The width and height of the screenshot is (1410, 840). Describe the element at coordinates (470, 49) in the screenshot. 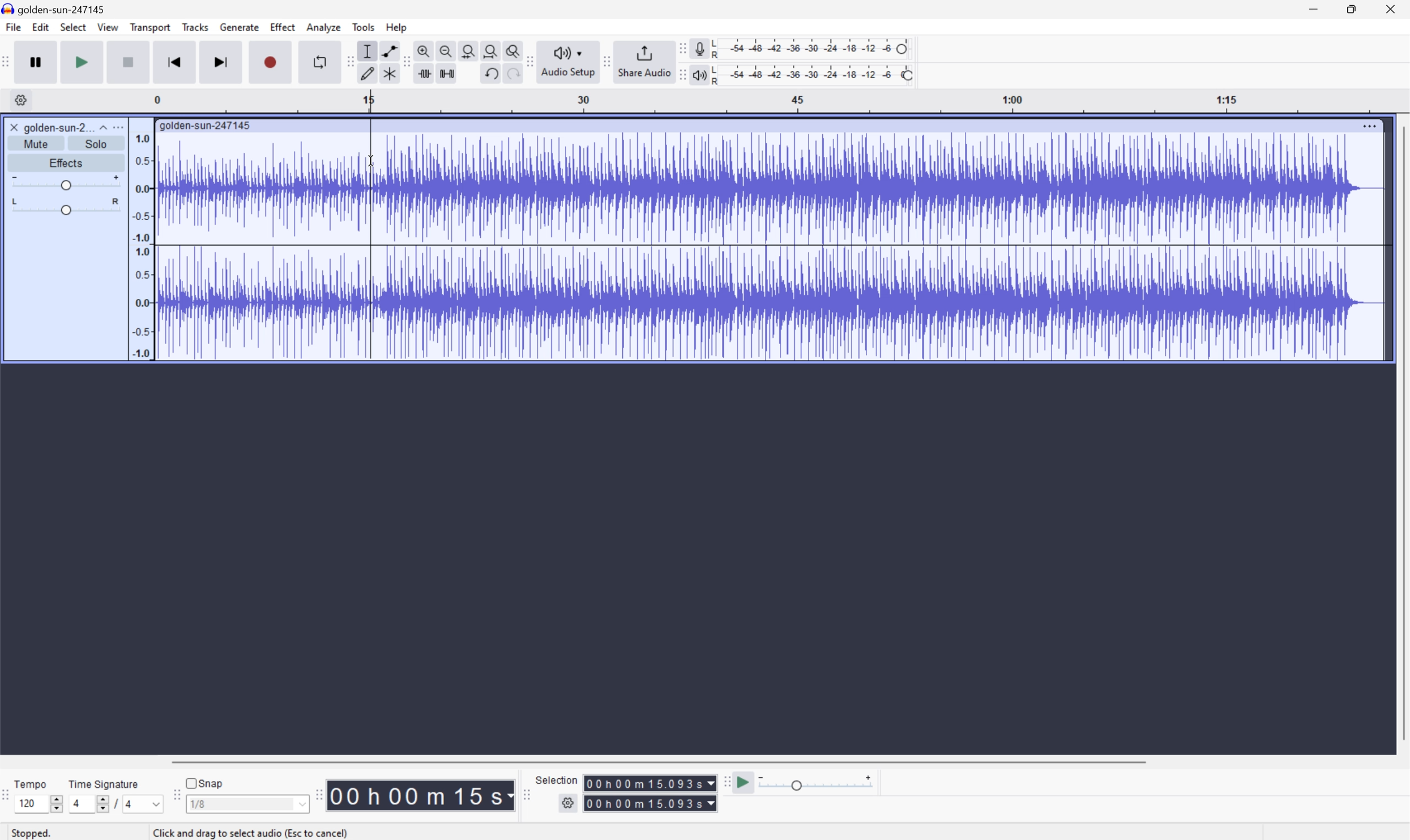

I see `selection to width` at that location.